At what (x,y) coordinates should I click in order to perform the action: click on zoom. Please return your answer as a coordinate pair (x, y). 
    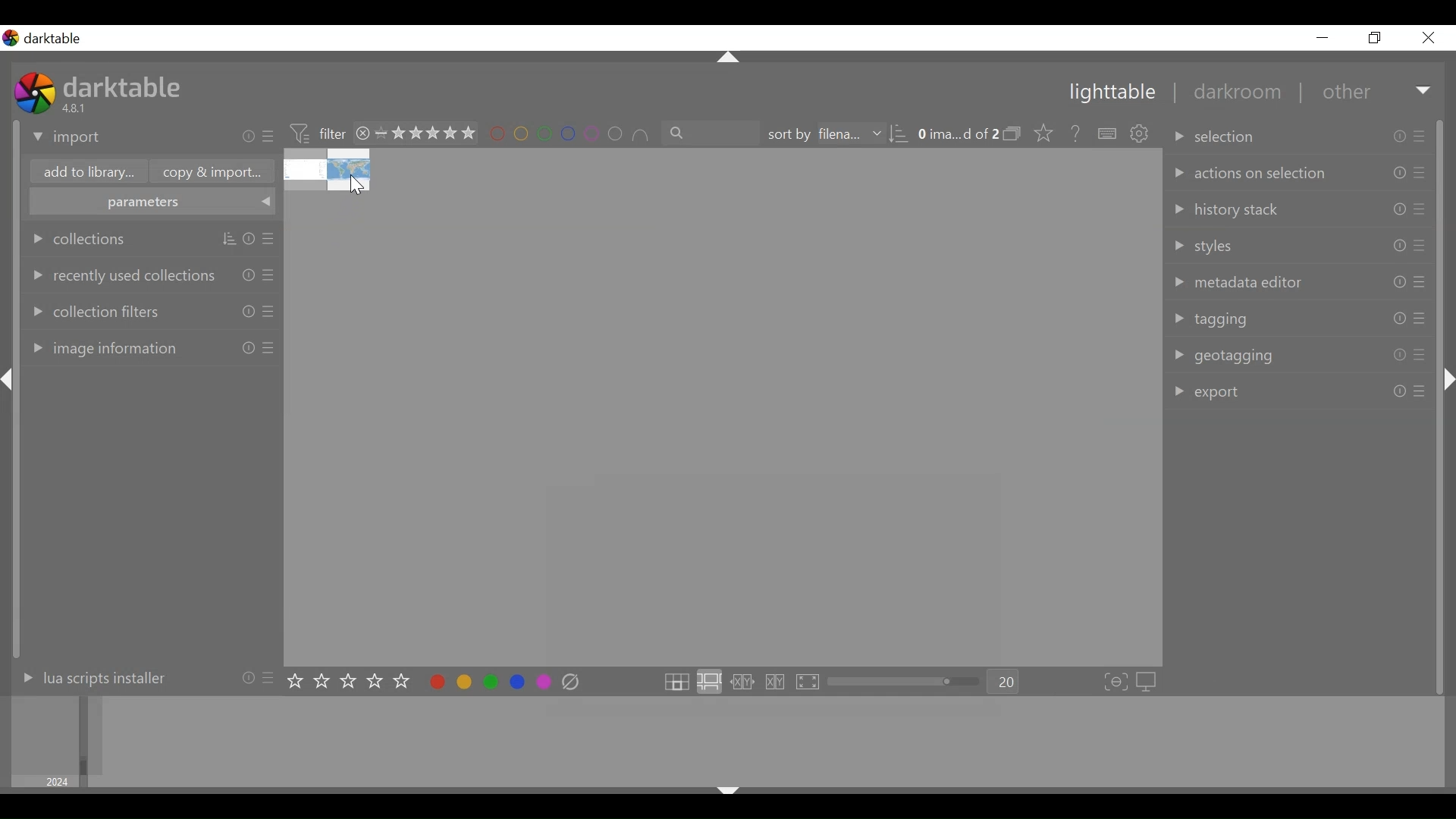
    Looking at the image, I should click on (907, 683).